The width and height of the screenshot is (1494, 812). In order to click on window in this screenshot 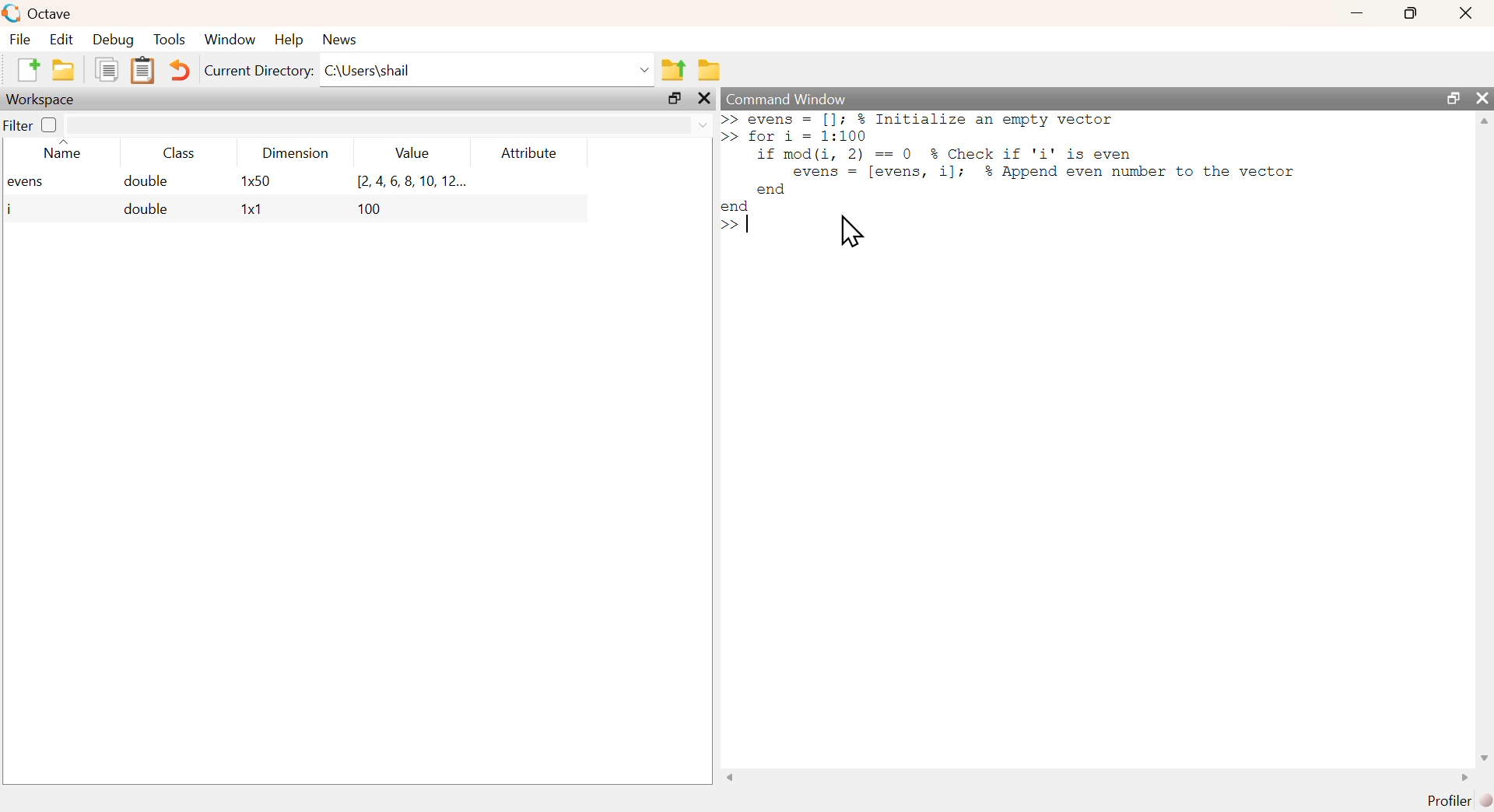, I will do `click(231, 40)`.